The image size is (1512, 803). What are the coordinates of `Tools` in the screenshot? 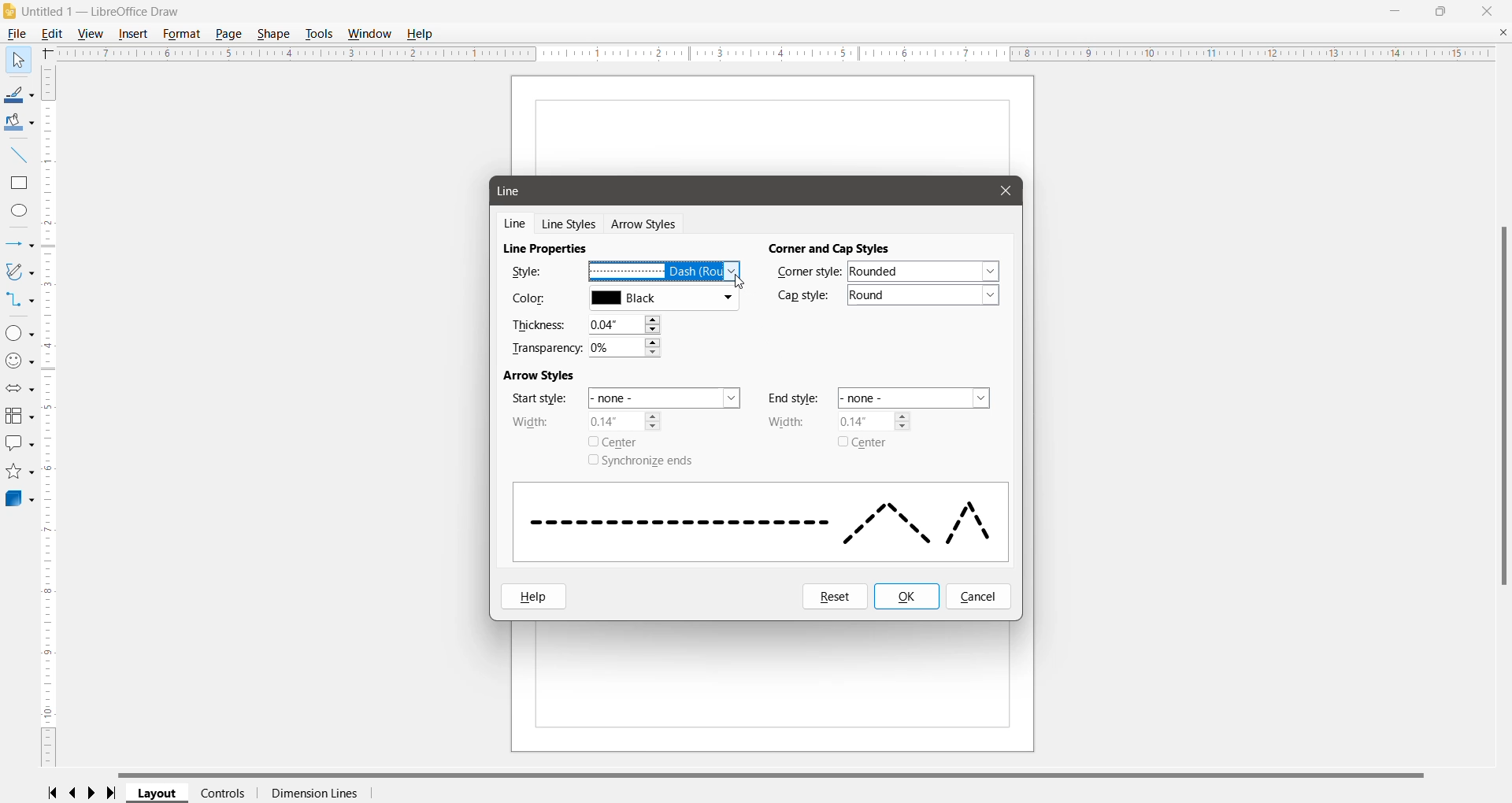 It's located at (319, 34).